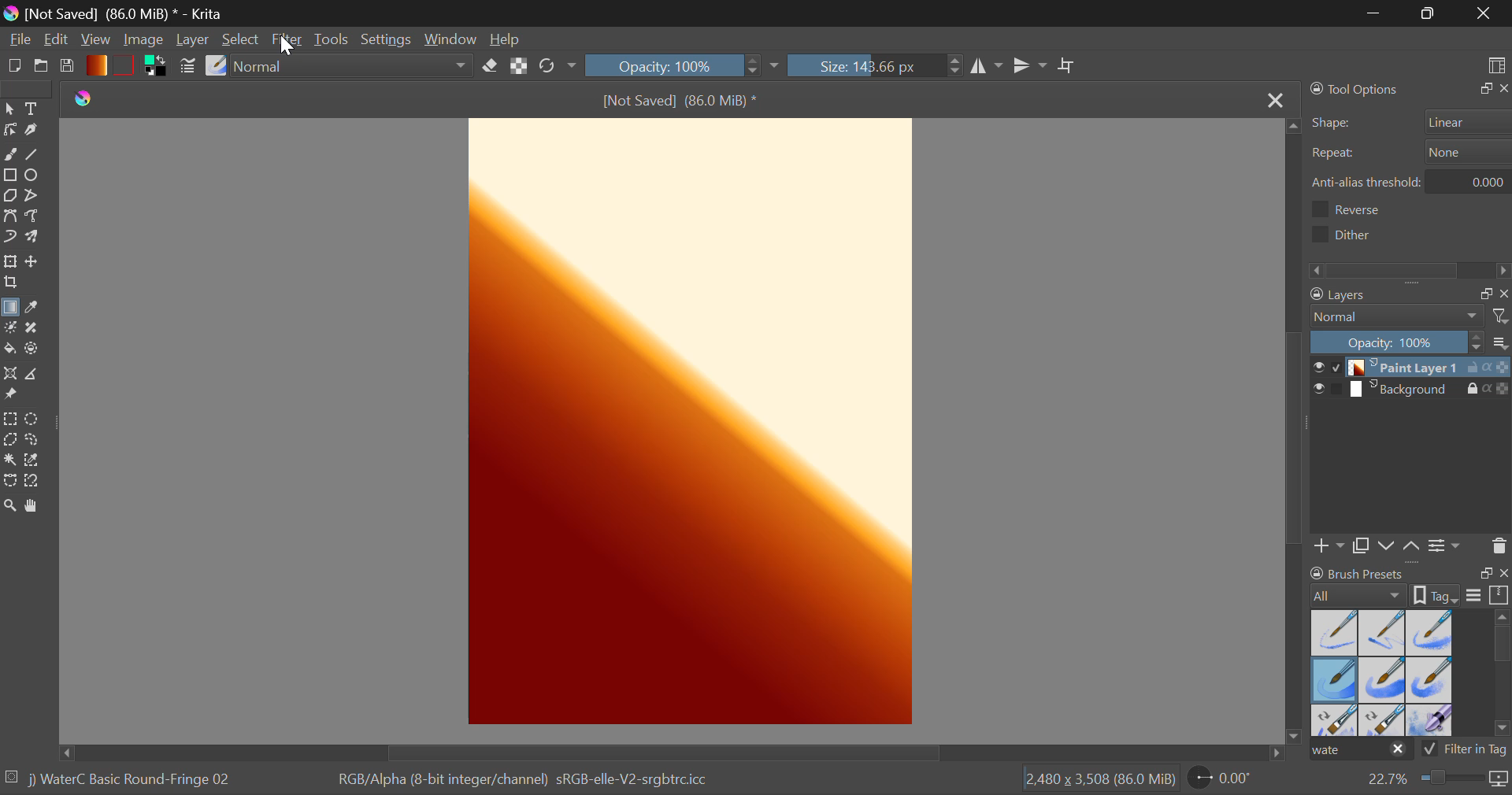  Describe the element at coordinates (533, 784) in the screenshot. I see `rgb/alpha(8-bit integer/channel) srgb-elle-v2-srgbtrc.icc` at that location.